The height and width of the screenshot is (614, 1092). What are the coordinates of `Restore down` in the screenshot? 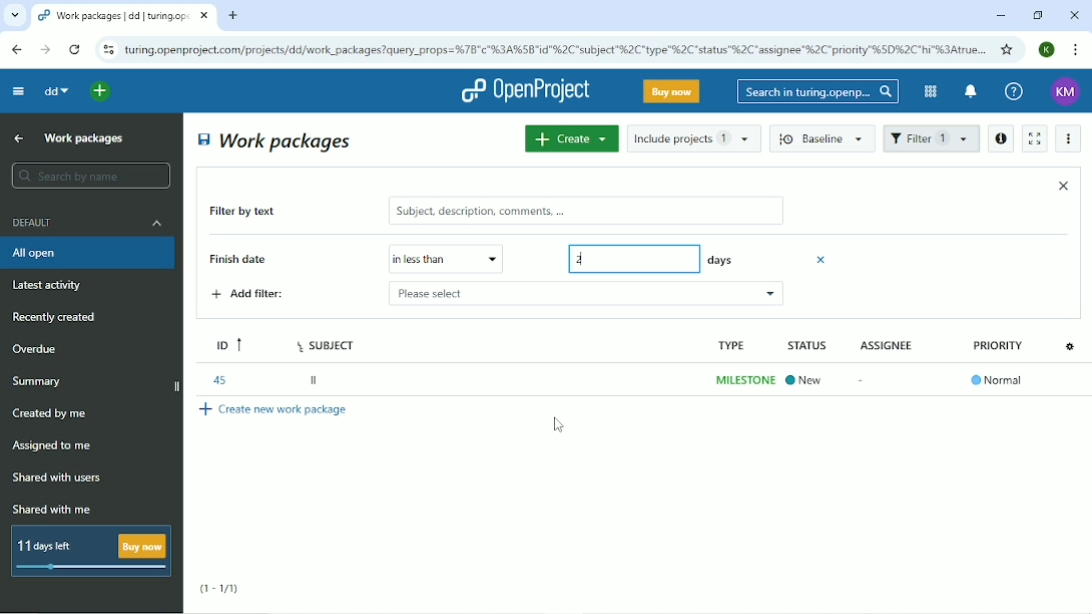 It's located at (1037, 15).